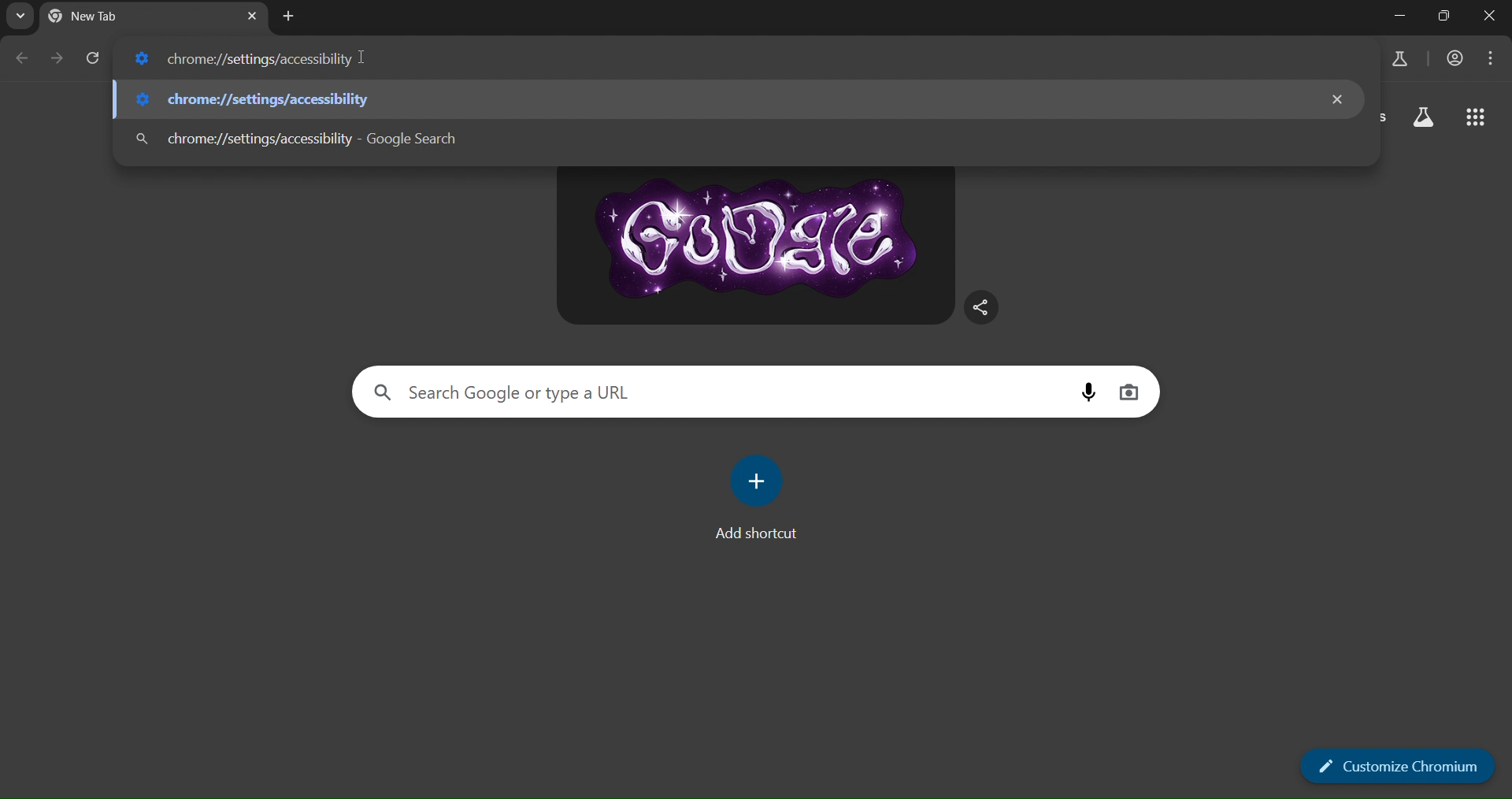 Image resolution: width=1512 pixels, height=799 pixels. Describe the element at coordinates (245, 59) in the screenshot. I see `chrome://settings/accessiblity` at that location.